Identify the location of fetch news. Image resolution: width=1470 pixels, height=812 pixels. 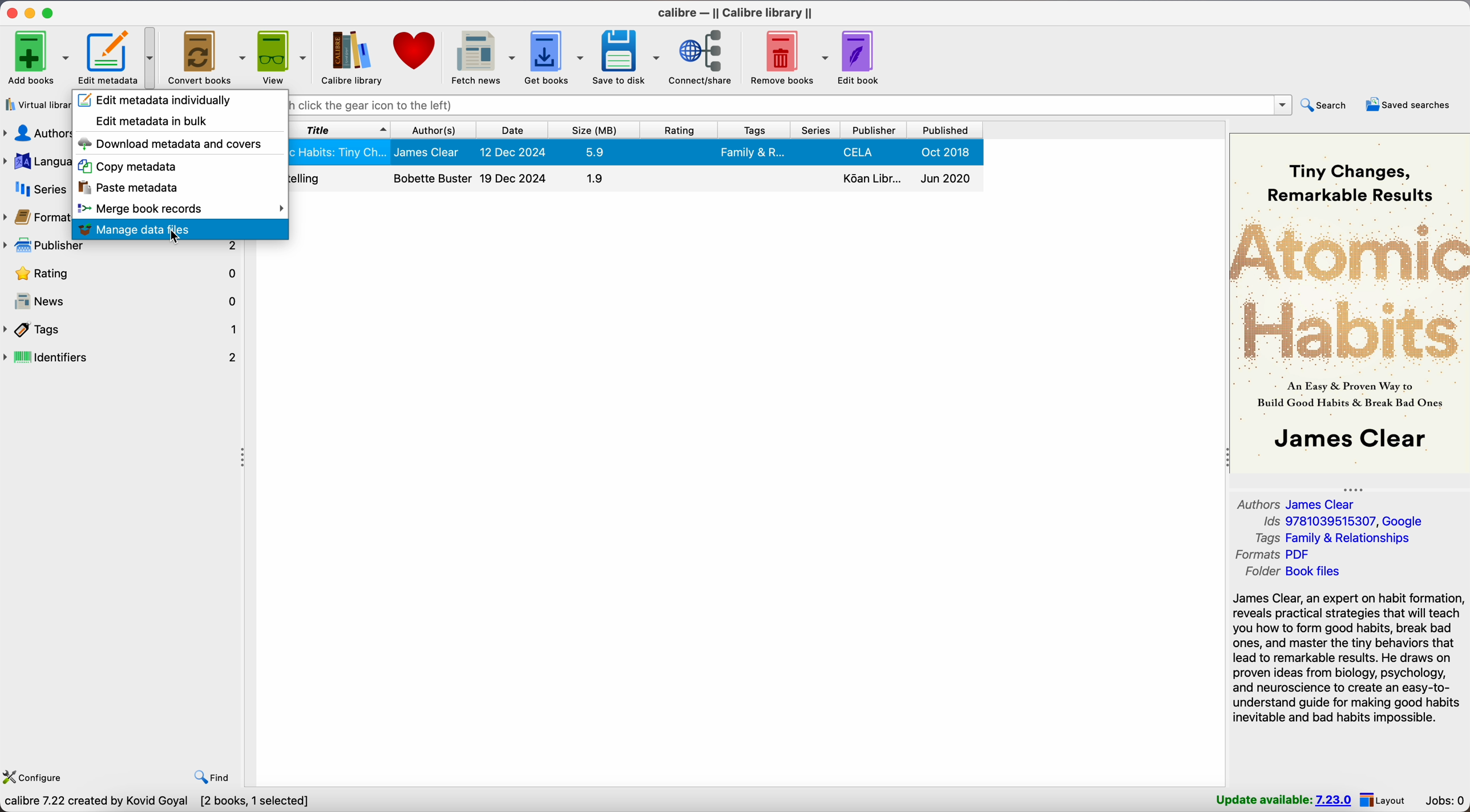
(480, 56).